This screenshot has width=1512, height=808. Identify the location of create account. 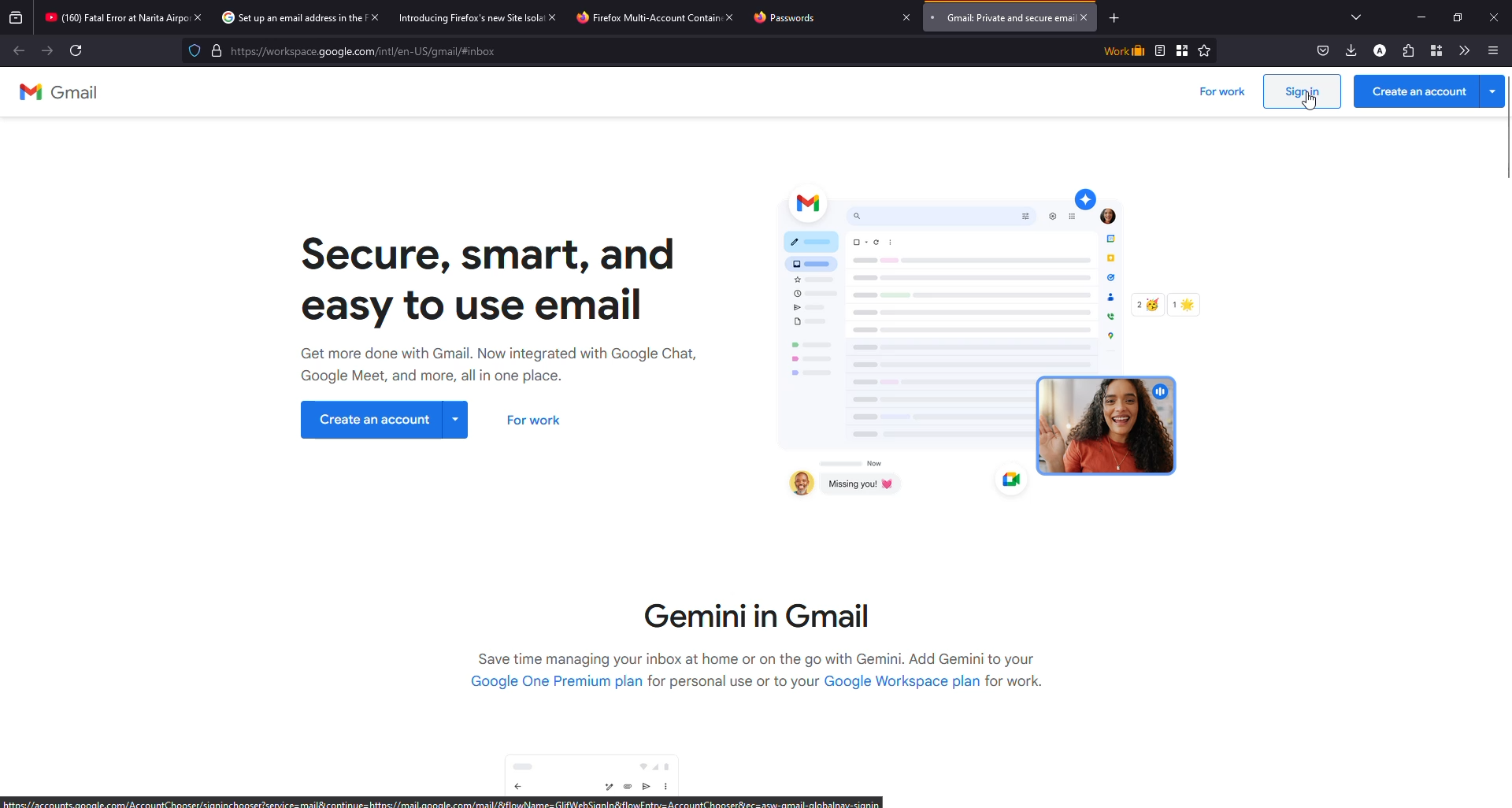
(1429, 91).